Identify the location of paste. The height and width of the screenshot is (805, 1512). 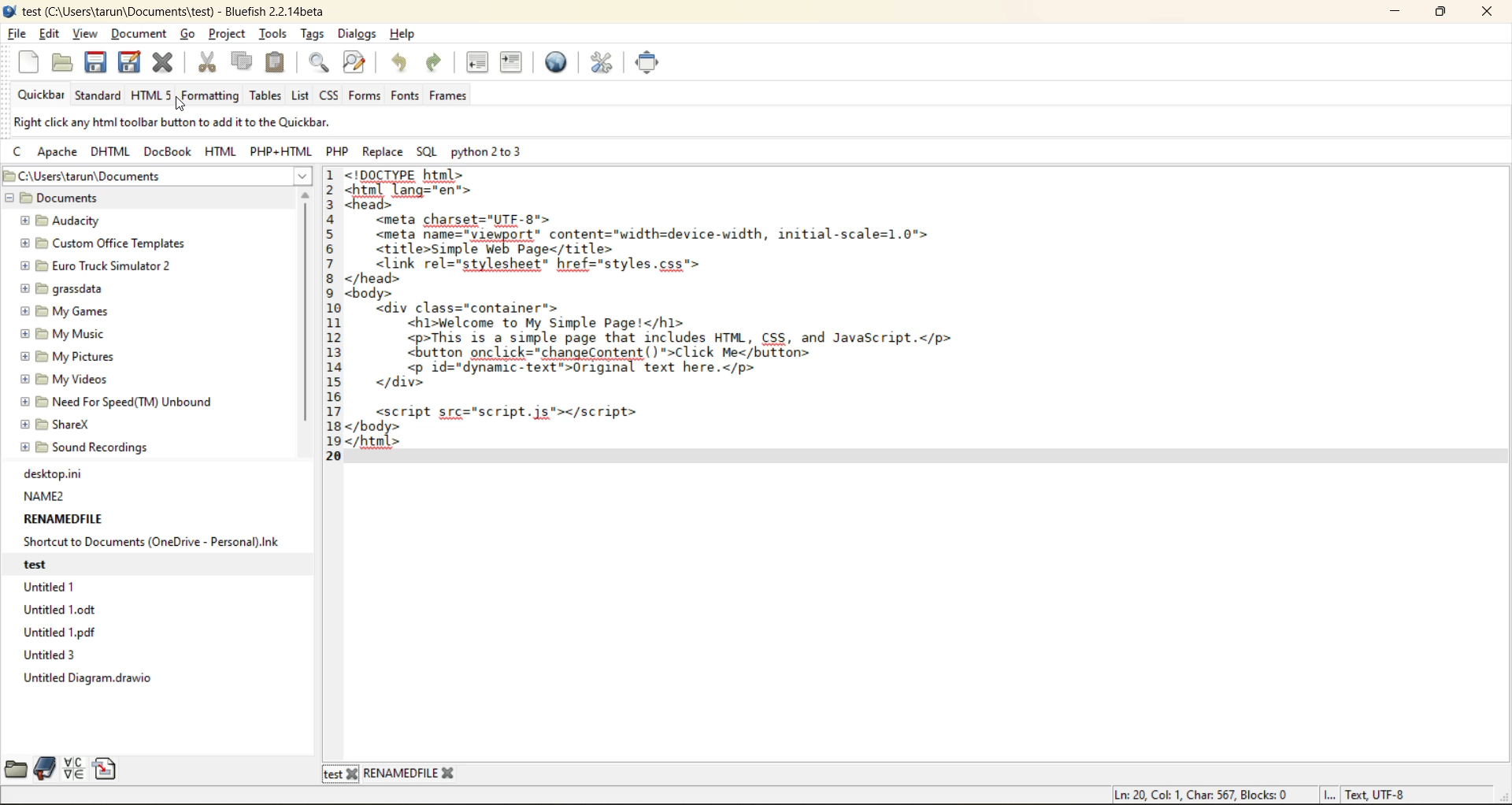
(275, 63).